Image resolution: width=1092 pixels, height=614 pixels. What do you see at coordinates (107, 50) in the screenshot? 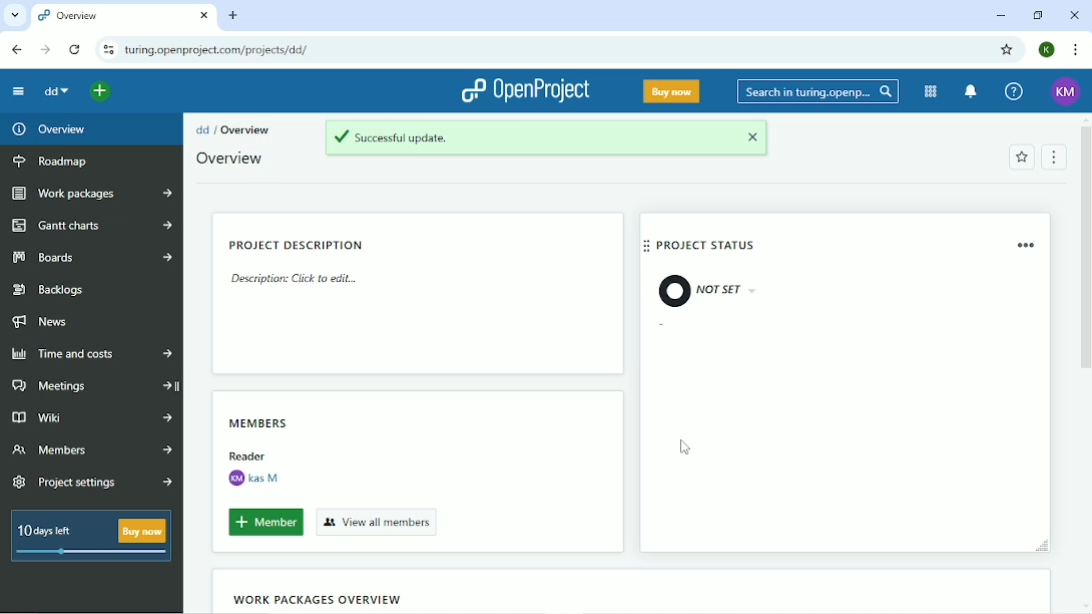
I see `View site information` at bounding box center [107, 50].